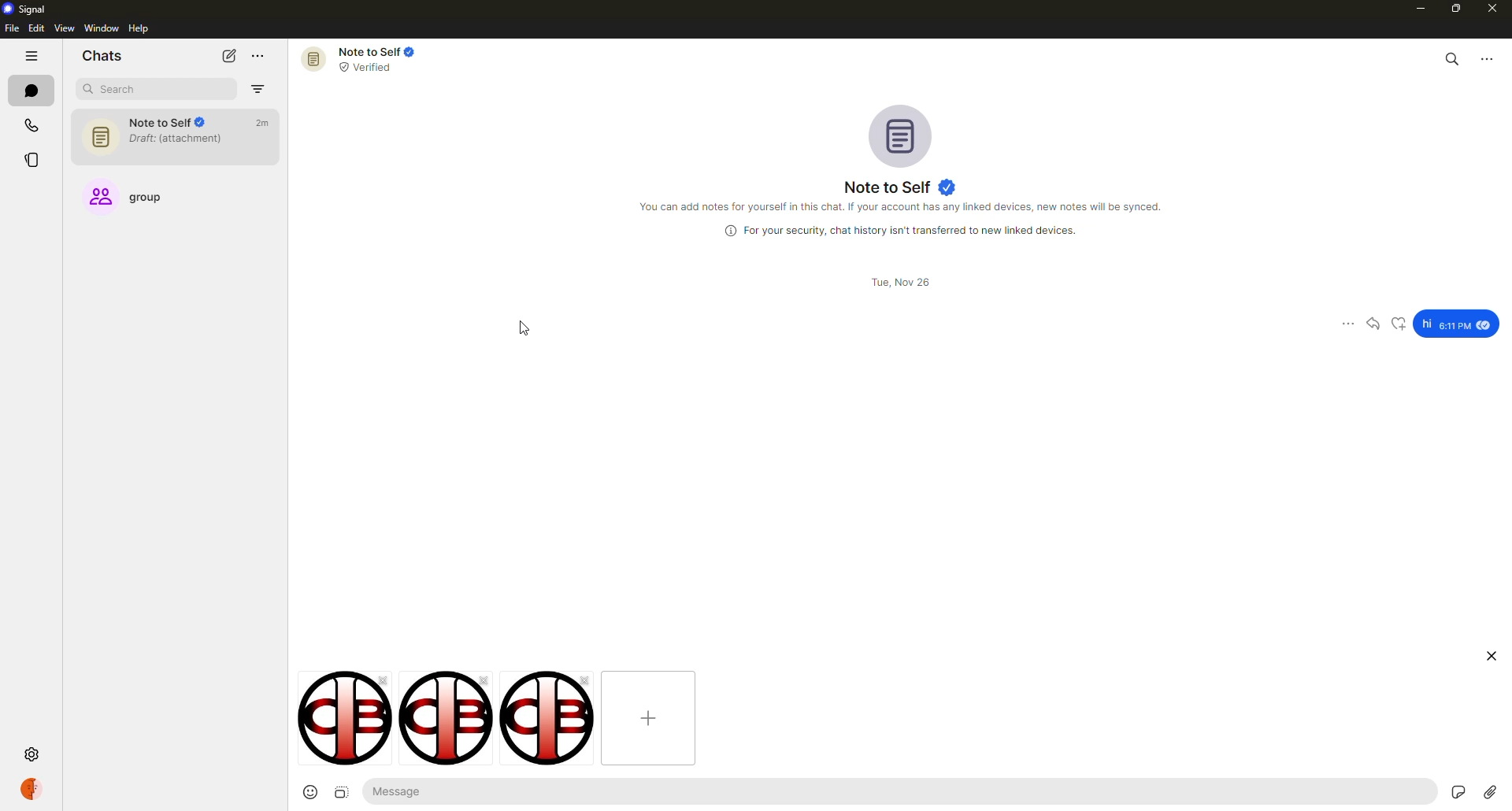  What do you see at coordinates (139, 195) in the screenshot?
I see `group` at bounding box center [139, 195].